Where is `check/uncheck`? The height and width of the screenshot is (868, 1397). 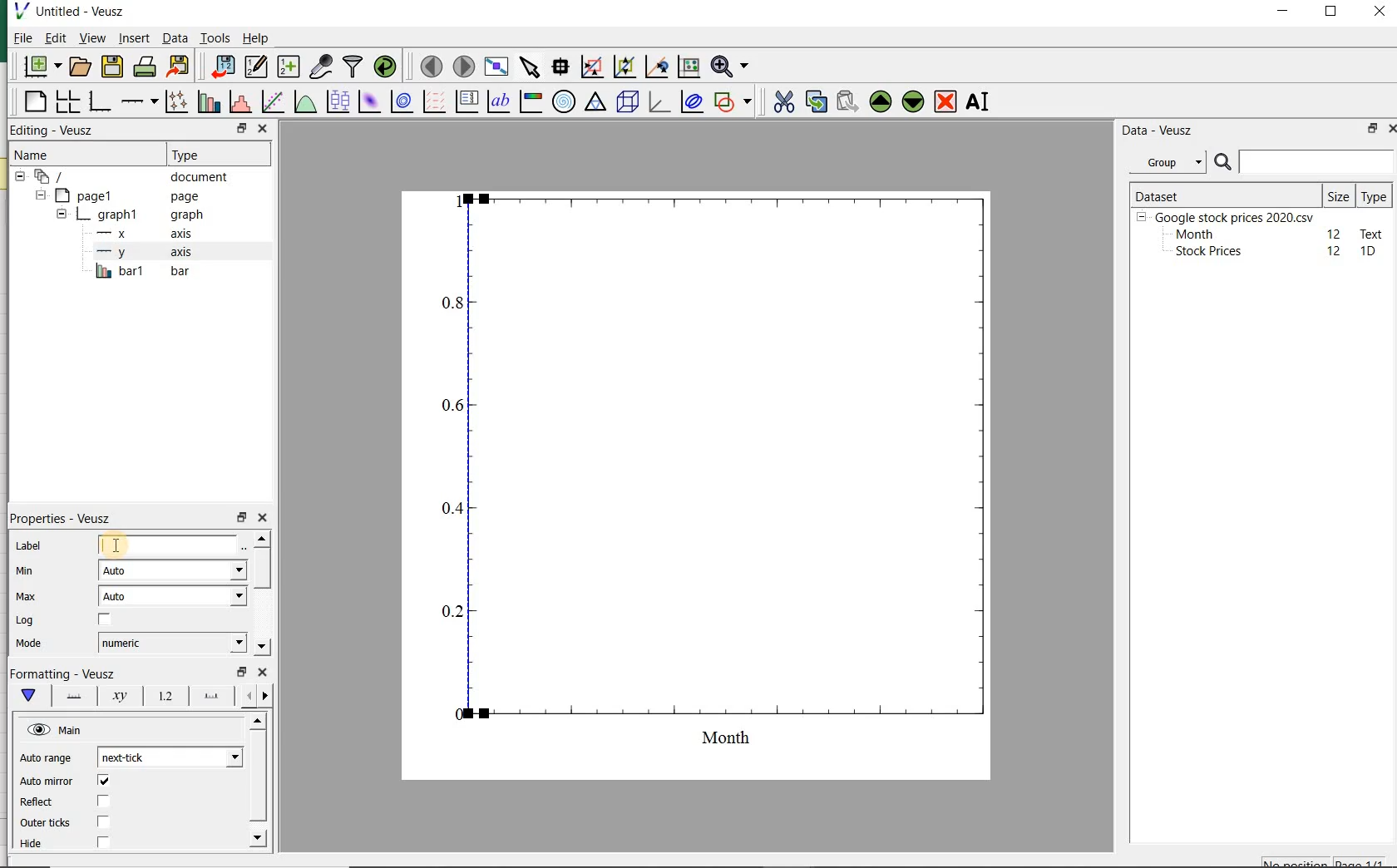
check/uncheck is located at coordinates (102, 843).